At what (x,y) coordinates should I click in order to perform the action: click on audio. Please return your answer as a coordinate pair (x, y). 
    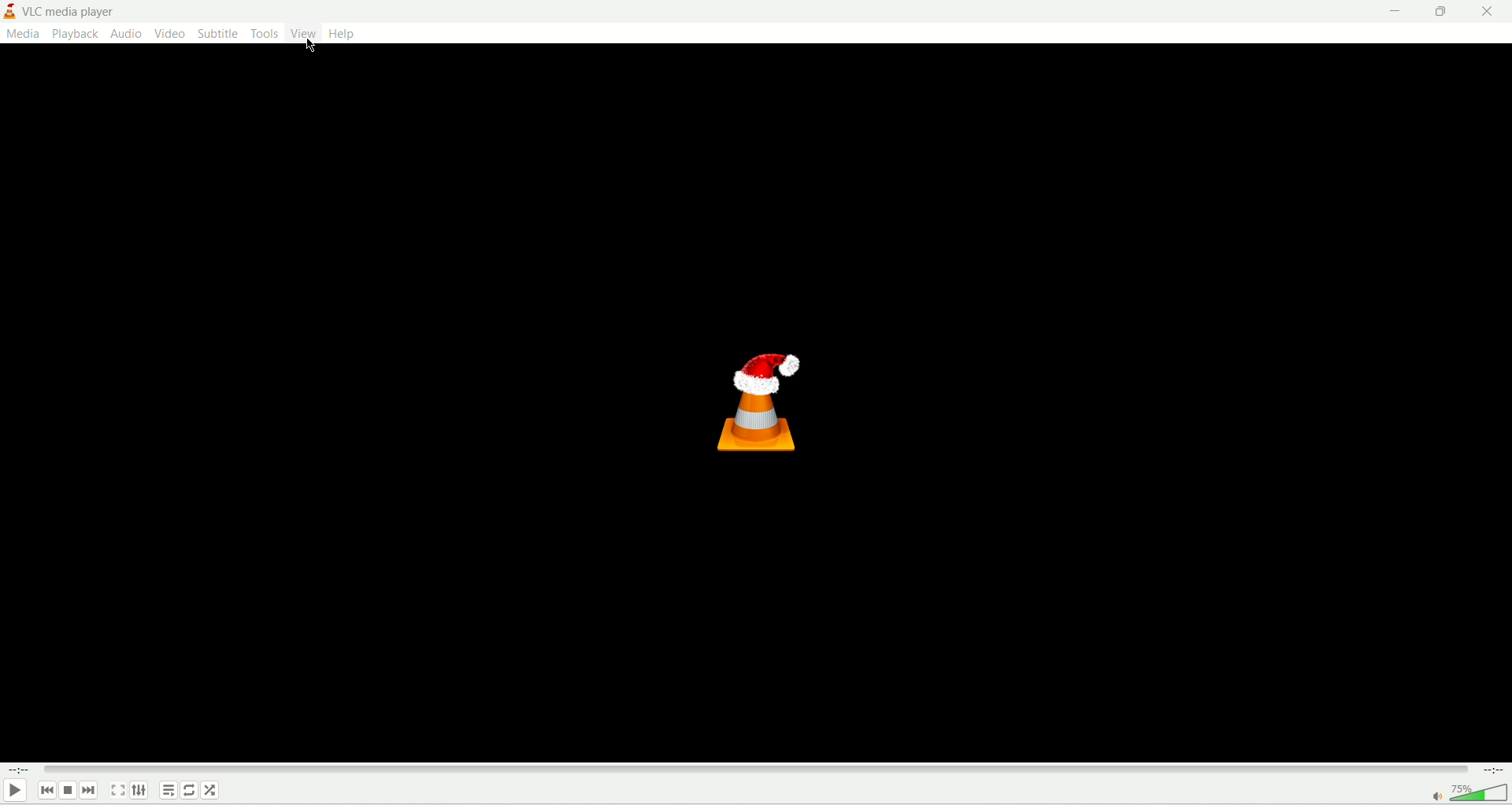
    Looking at the image, I should click on (125, 35).